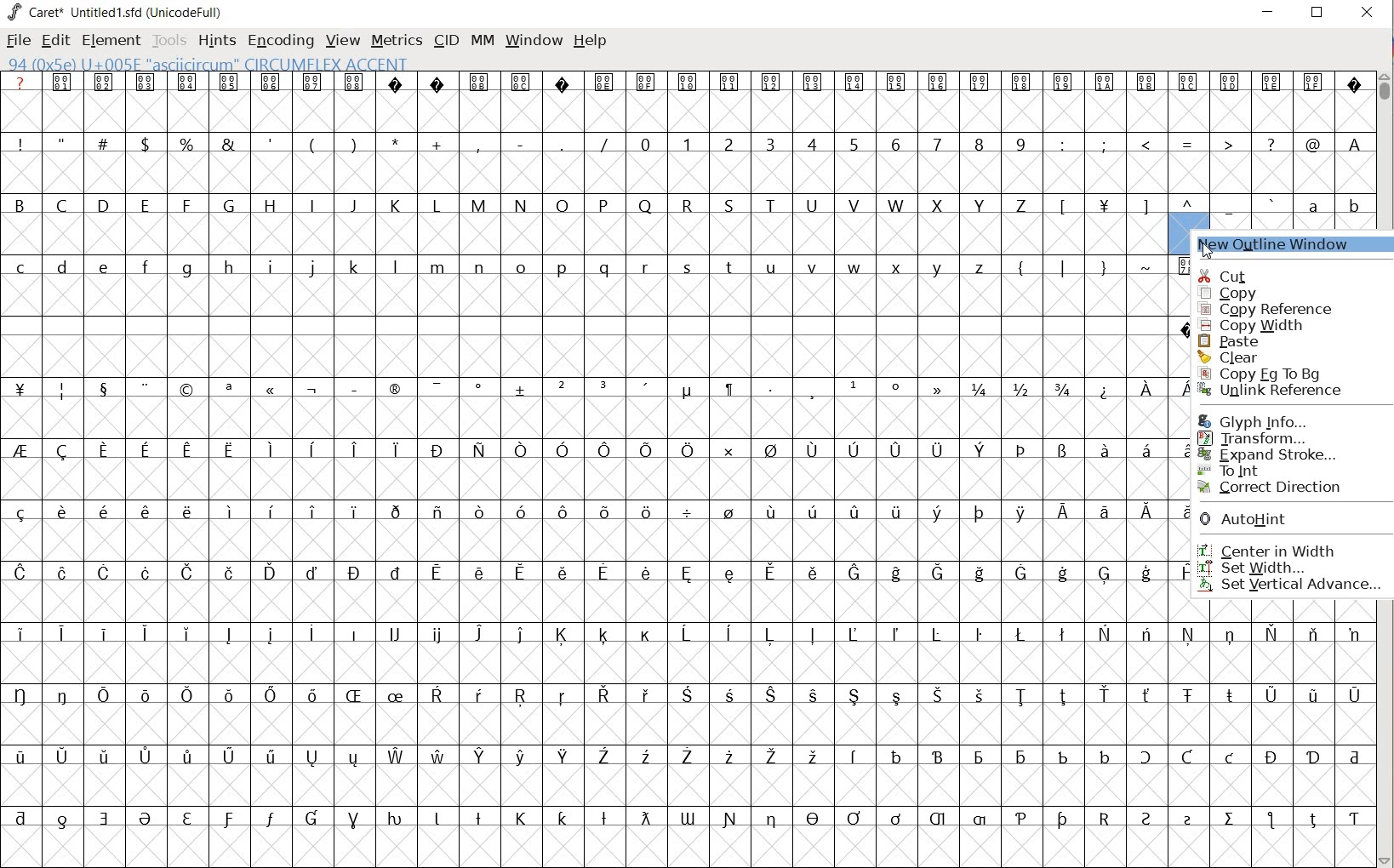  Describe the element at coordinates (1256, 325) in the screenshot. I see `copy width` at that location.